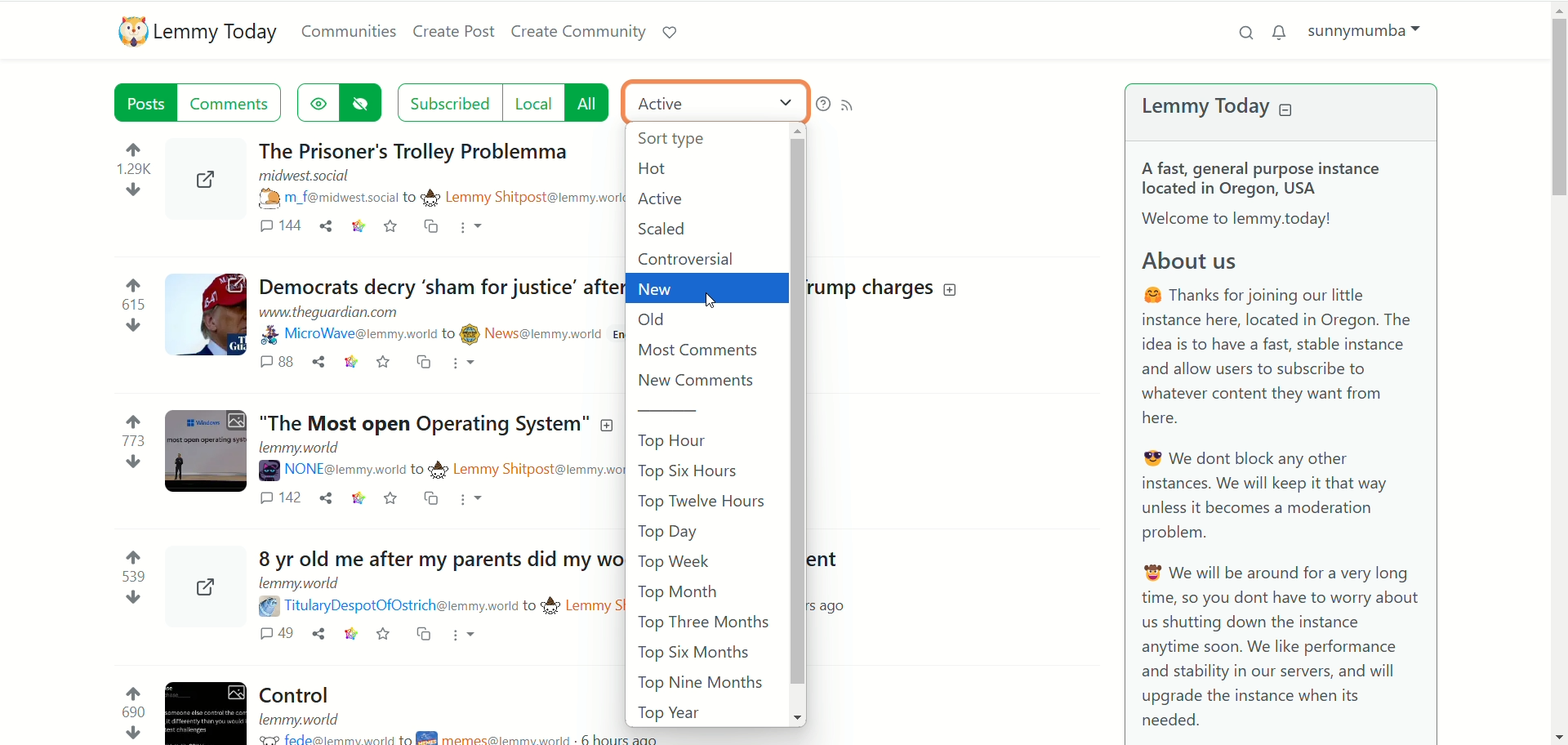  I want to click on favorite, so click(394, 498).